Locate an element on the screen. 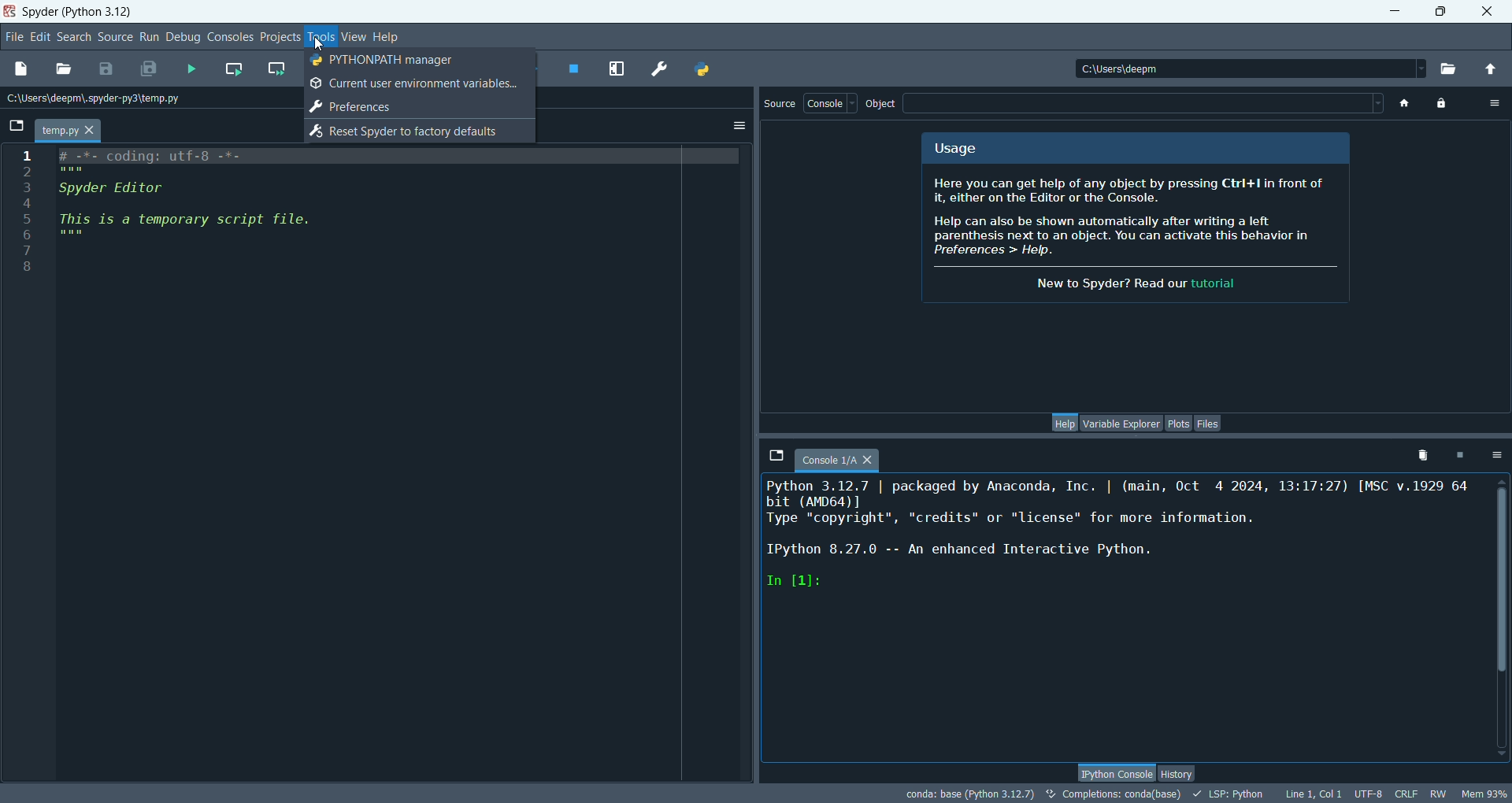 This screenshot has height=803, width=1512. consoles is located at coordinates (229, 37).